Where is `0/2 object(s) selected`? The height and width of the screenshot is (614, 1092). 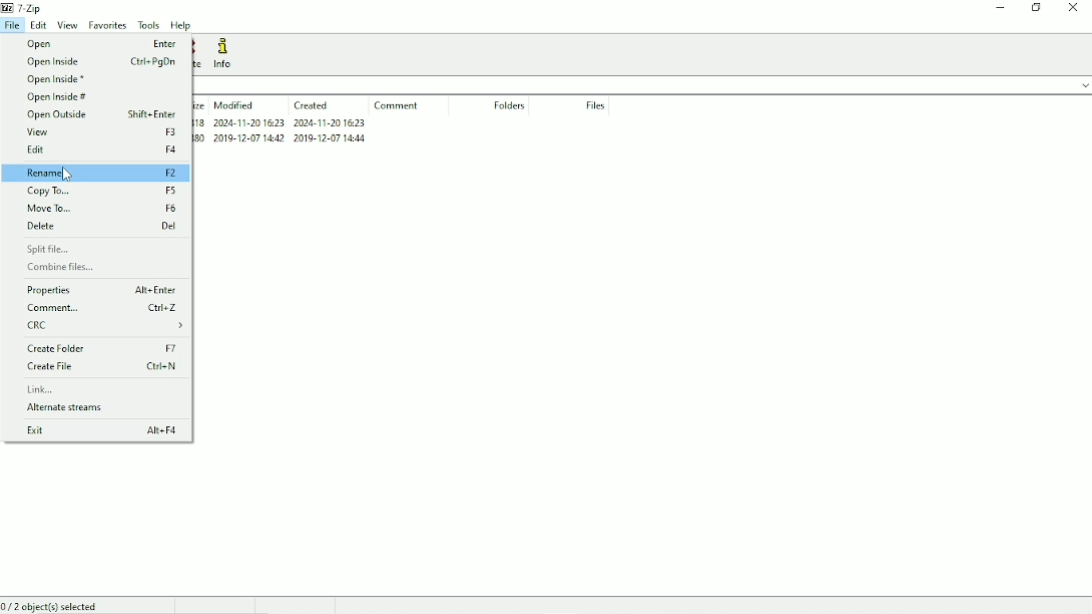 0/2 object(s) selected is located at coordinates (56, 606).